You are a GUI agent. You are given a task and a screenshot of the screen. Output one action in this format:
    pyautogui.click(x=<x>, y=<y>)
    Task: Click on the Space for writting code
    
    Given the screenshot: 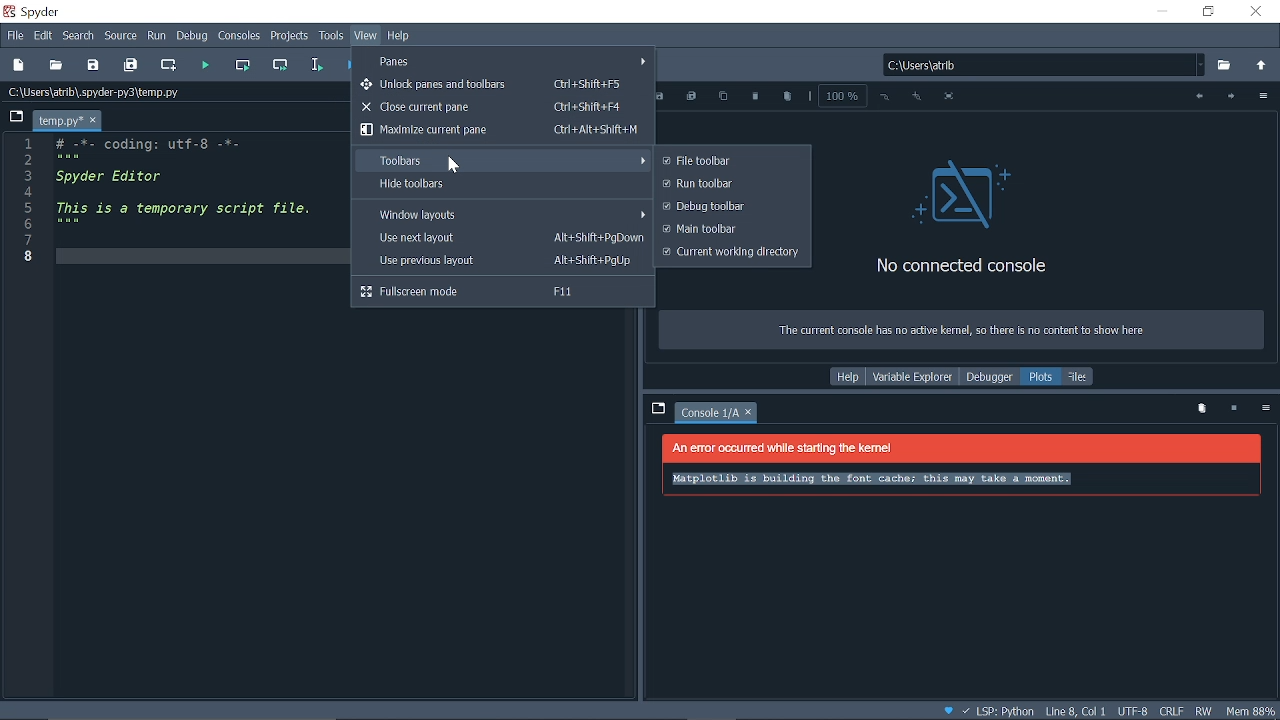 What is the action you would take?
    pyautogui.click(x=191, y=381)
    